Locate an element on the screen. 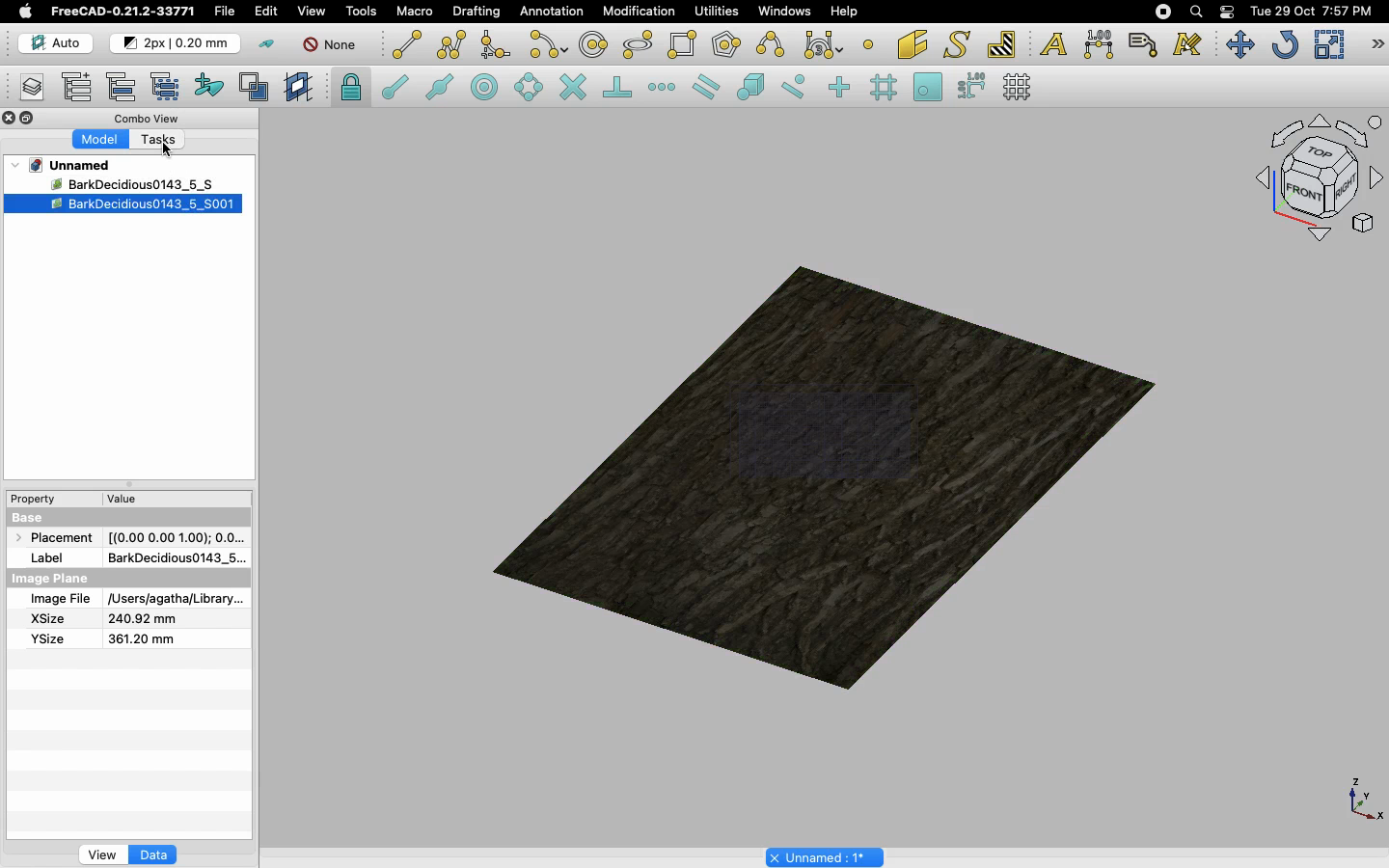 This screenshot has height=868, width=1389. Snap center is located at coordinates (490, 86).